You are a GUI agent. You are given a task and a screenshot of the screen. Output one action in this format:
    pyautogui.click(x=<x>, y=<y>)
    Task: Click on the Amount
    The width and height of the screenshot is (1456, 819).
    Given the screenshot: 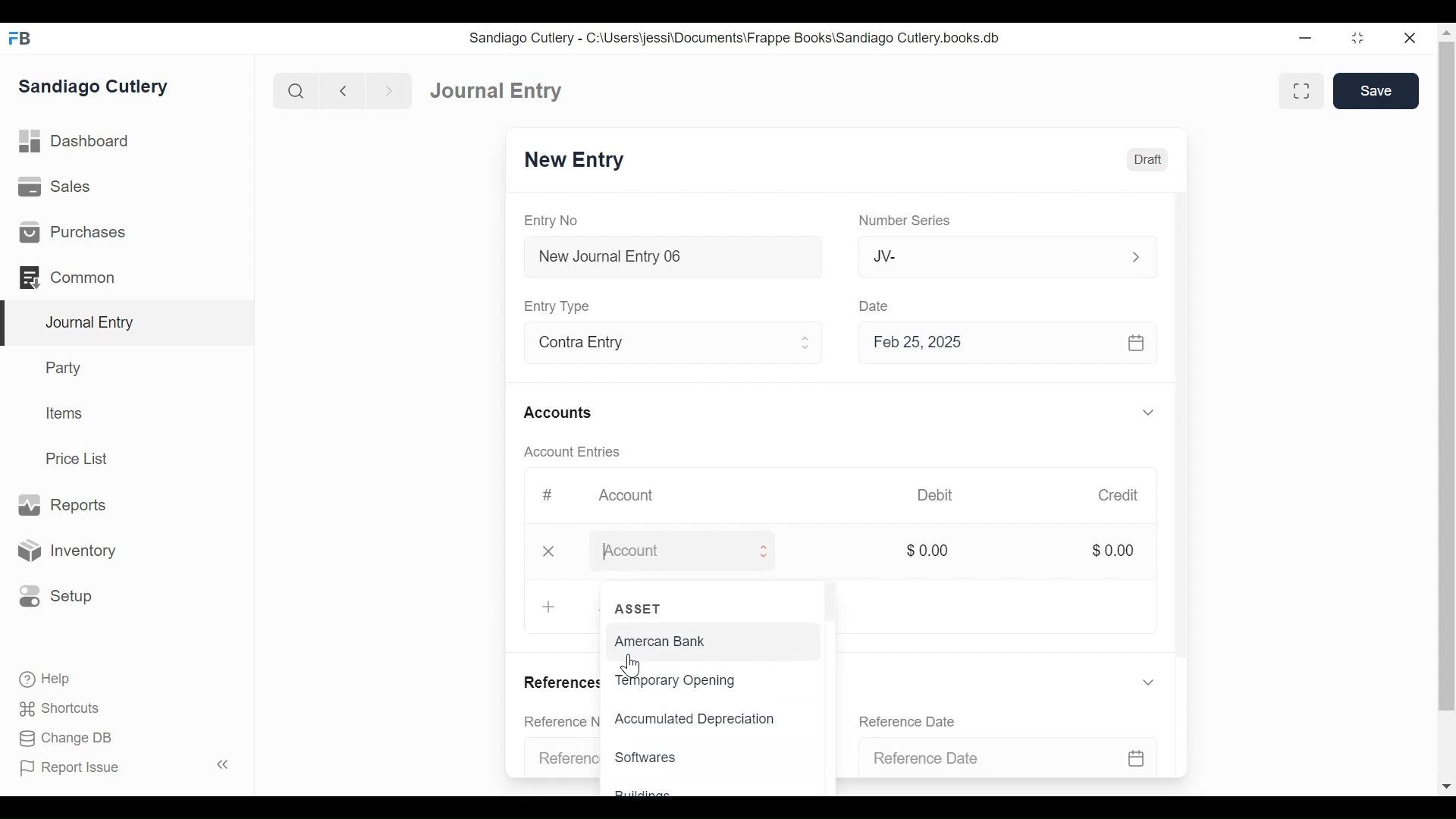 What is the action you would take?
    pyautogui.click(x=667, y=551)
    